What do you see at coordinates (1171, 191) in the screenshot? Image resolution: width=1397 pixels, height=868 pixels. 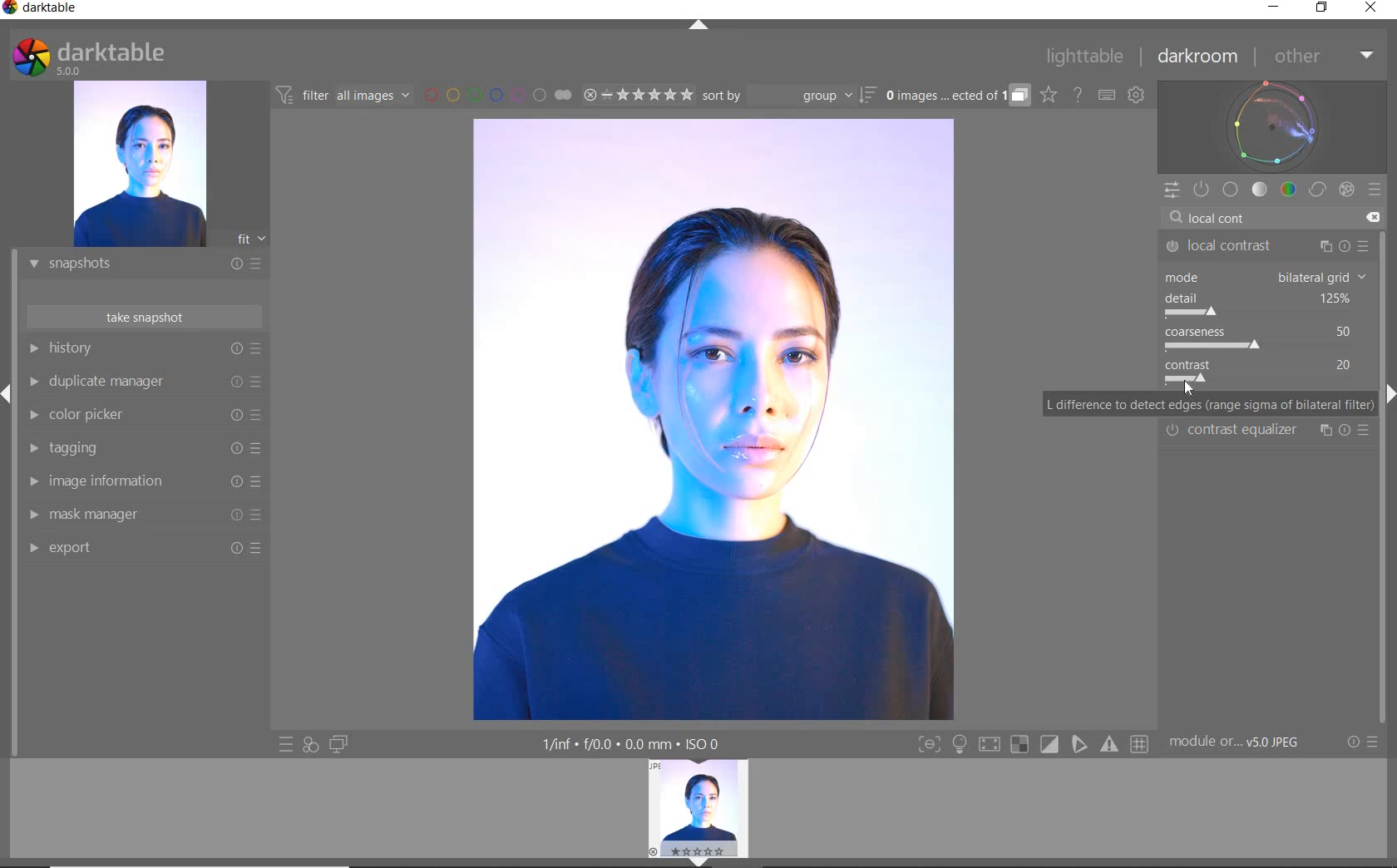 I see `QUICK ACCESS PANEL` at bounding box center [1171, 191].